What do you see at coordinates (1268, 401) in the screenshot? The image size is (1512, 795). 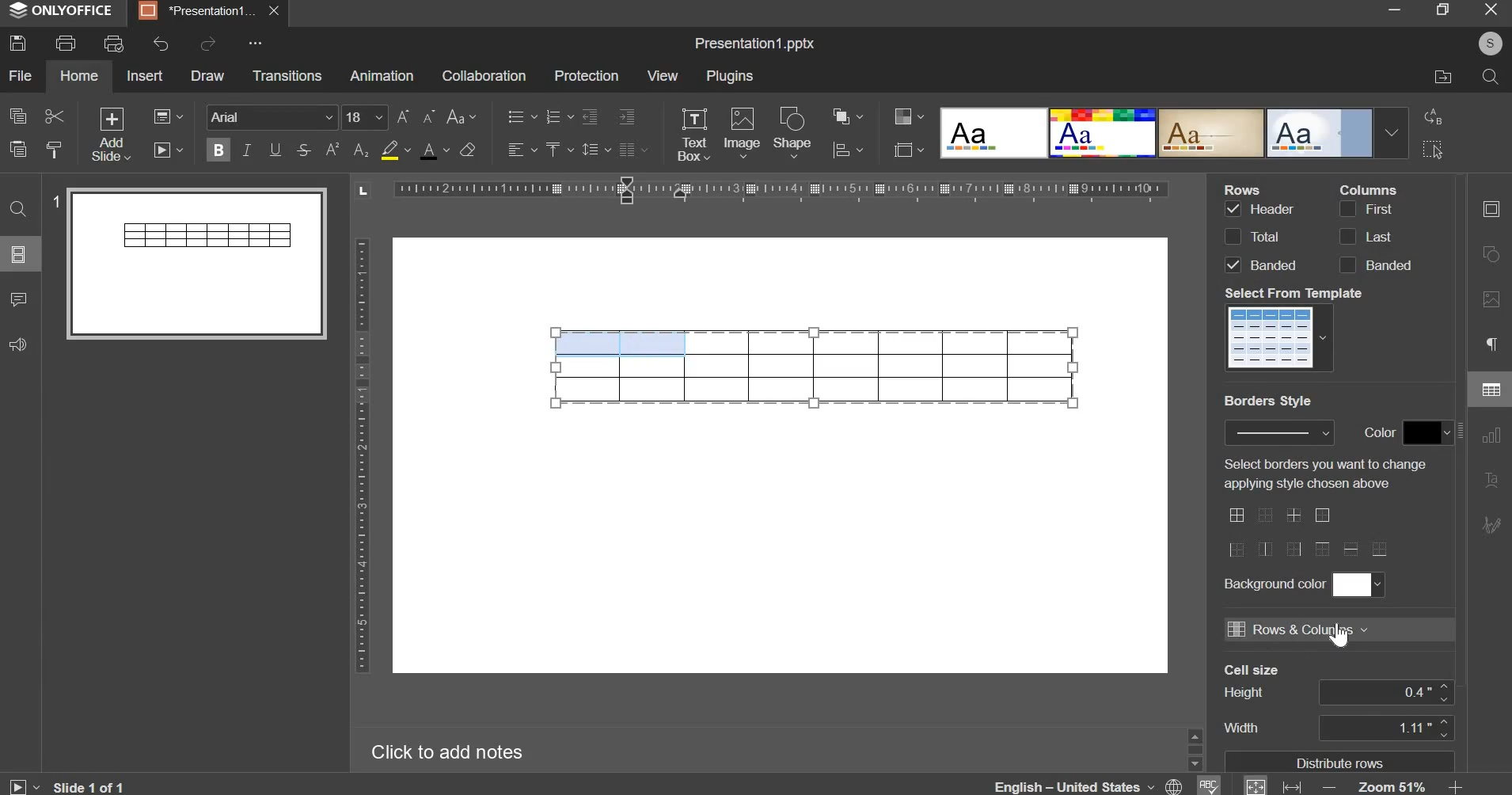 I see `Border Style` at bounding box center [1268, 401].